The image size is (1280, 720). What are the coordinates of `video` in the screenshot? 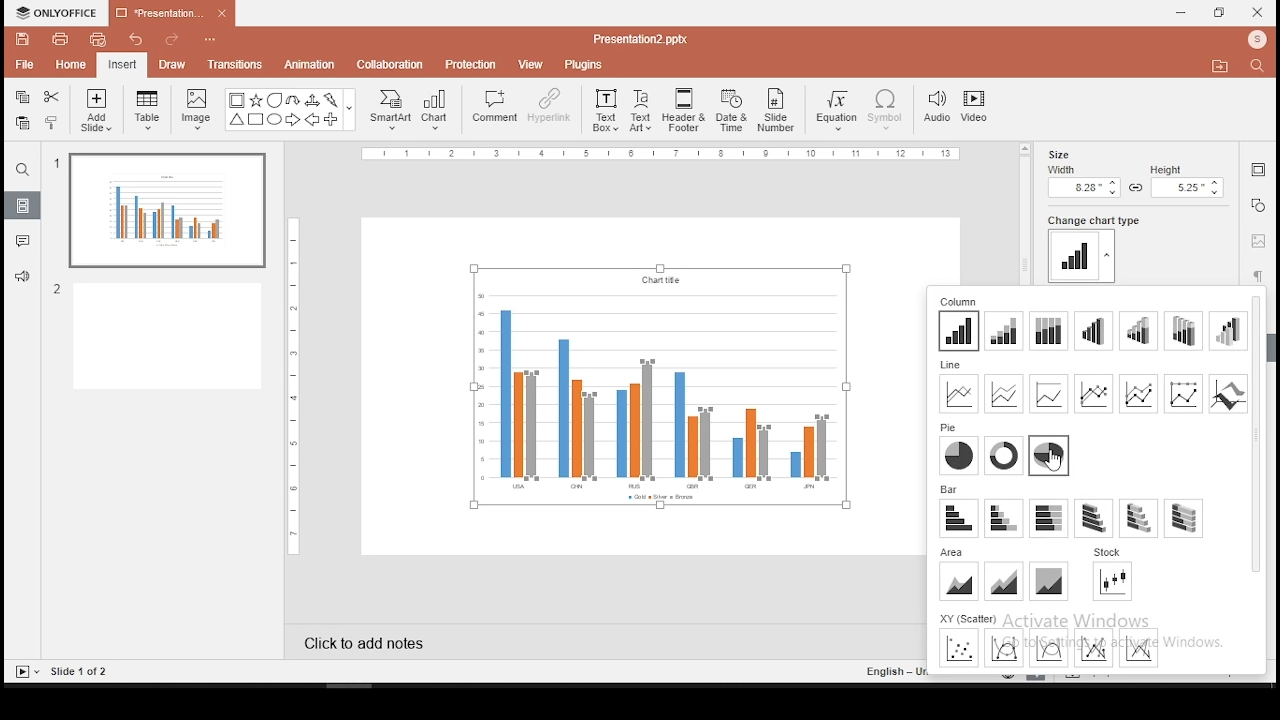 It's located at (977, 108).